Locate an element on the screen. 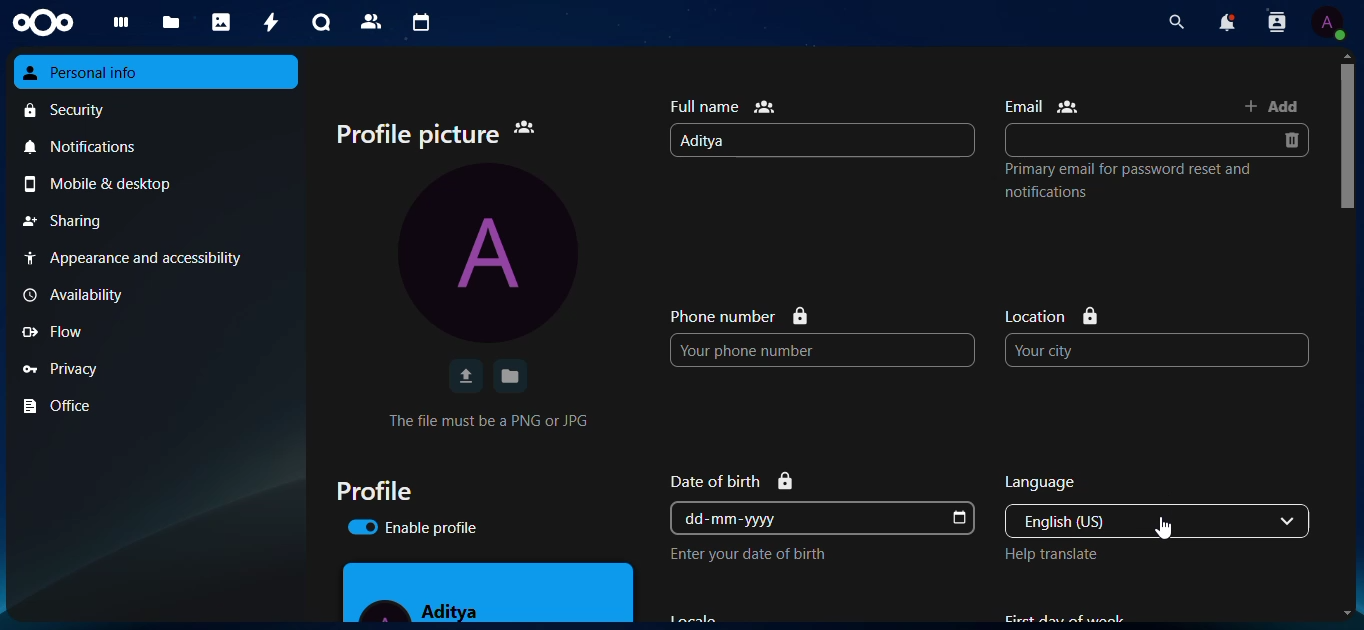 The image size is (1364, 630). office is located at coordinates (66, 406).